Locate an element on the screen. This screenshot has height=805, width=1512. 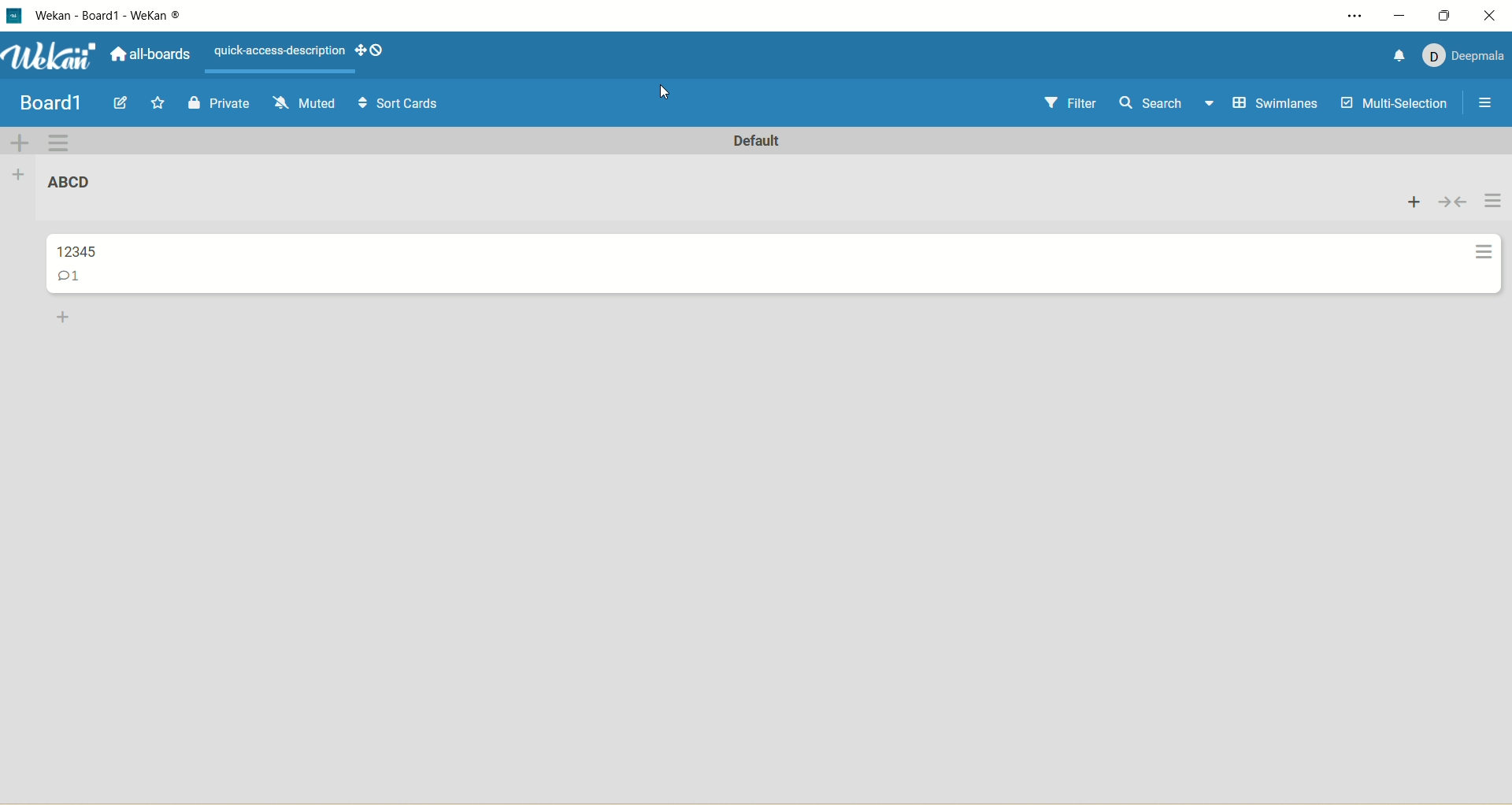
account is located at coordinates (1463, 52).